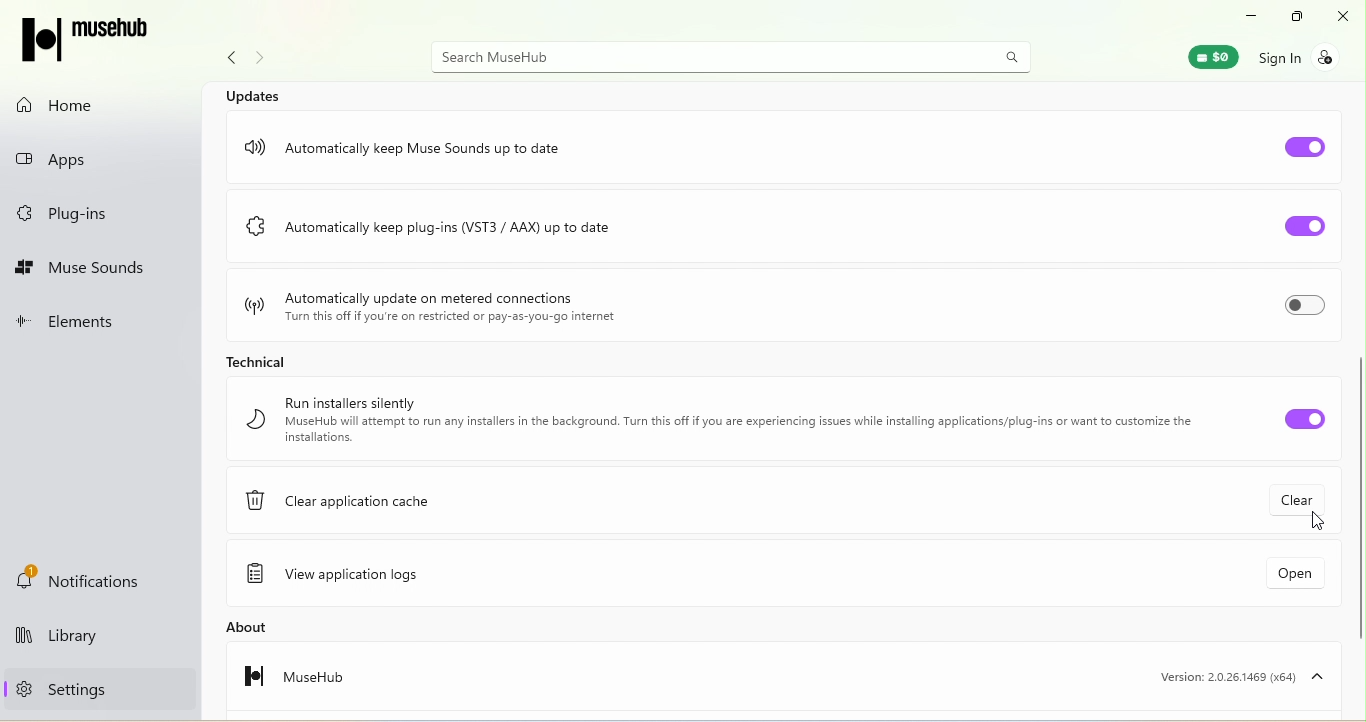 The height and width of the screenshot is (722, 1366). Describe the element at coordinates (281, 682) in the screenshot. I see `Musehub` at that location.